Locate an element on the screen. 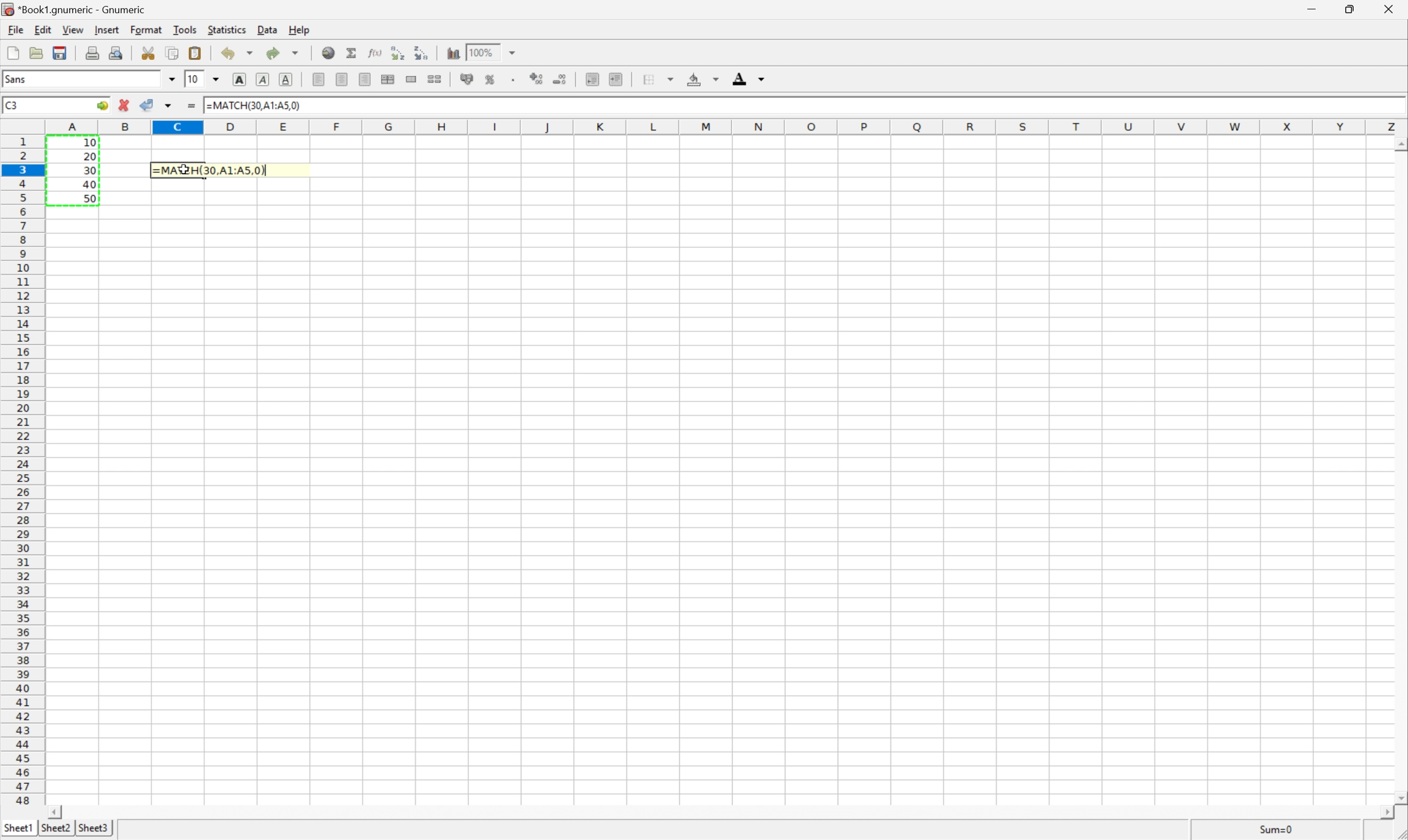 The height and width of the screenshot is (840, 1408). Edit is located at coordinates (43, 28).